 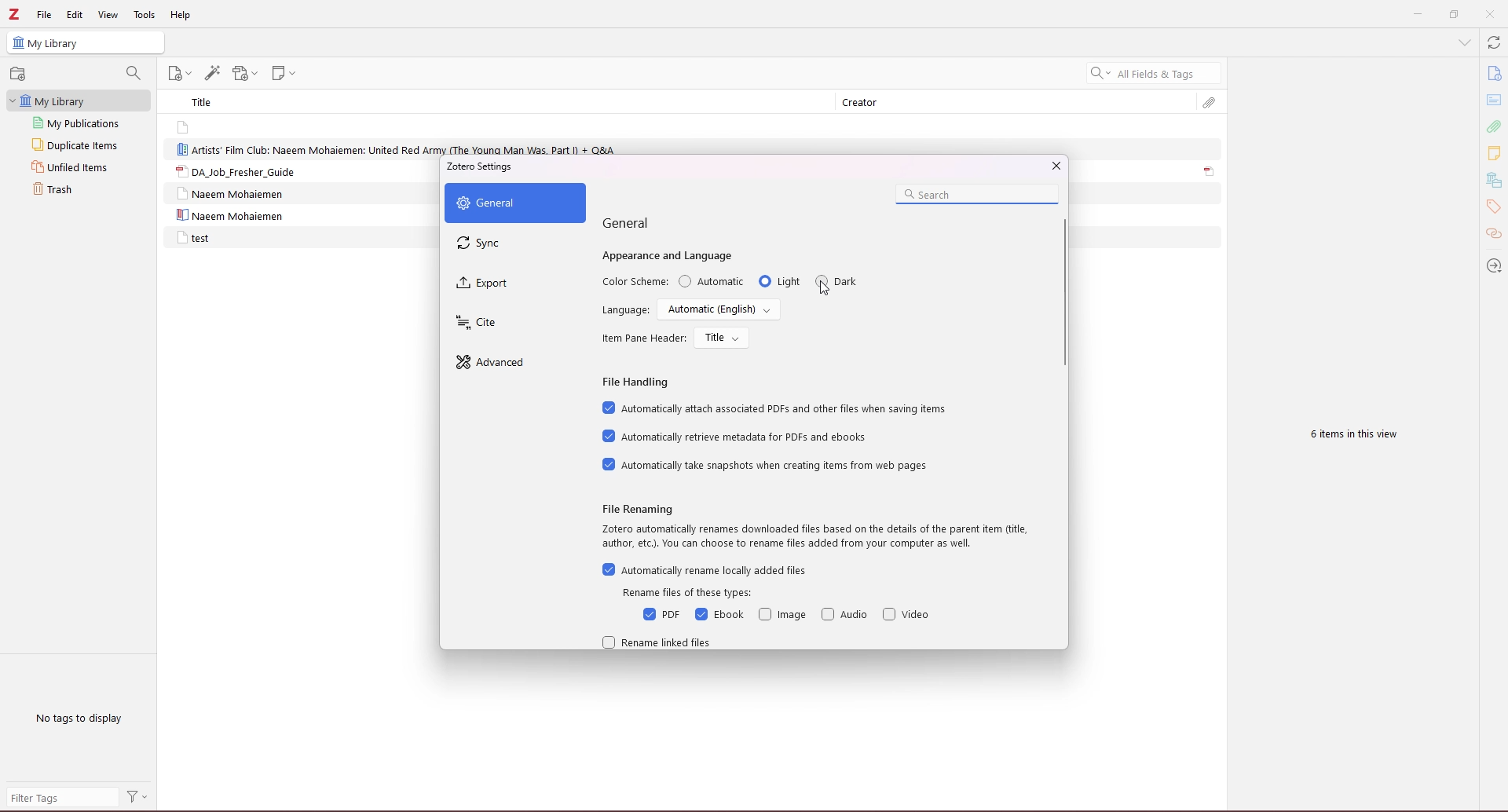 What do you see at coordinates (1493, 207) in the screenshot?
I see `tags` at bounding box center [1493, 207].